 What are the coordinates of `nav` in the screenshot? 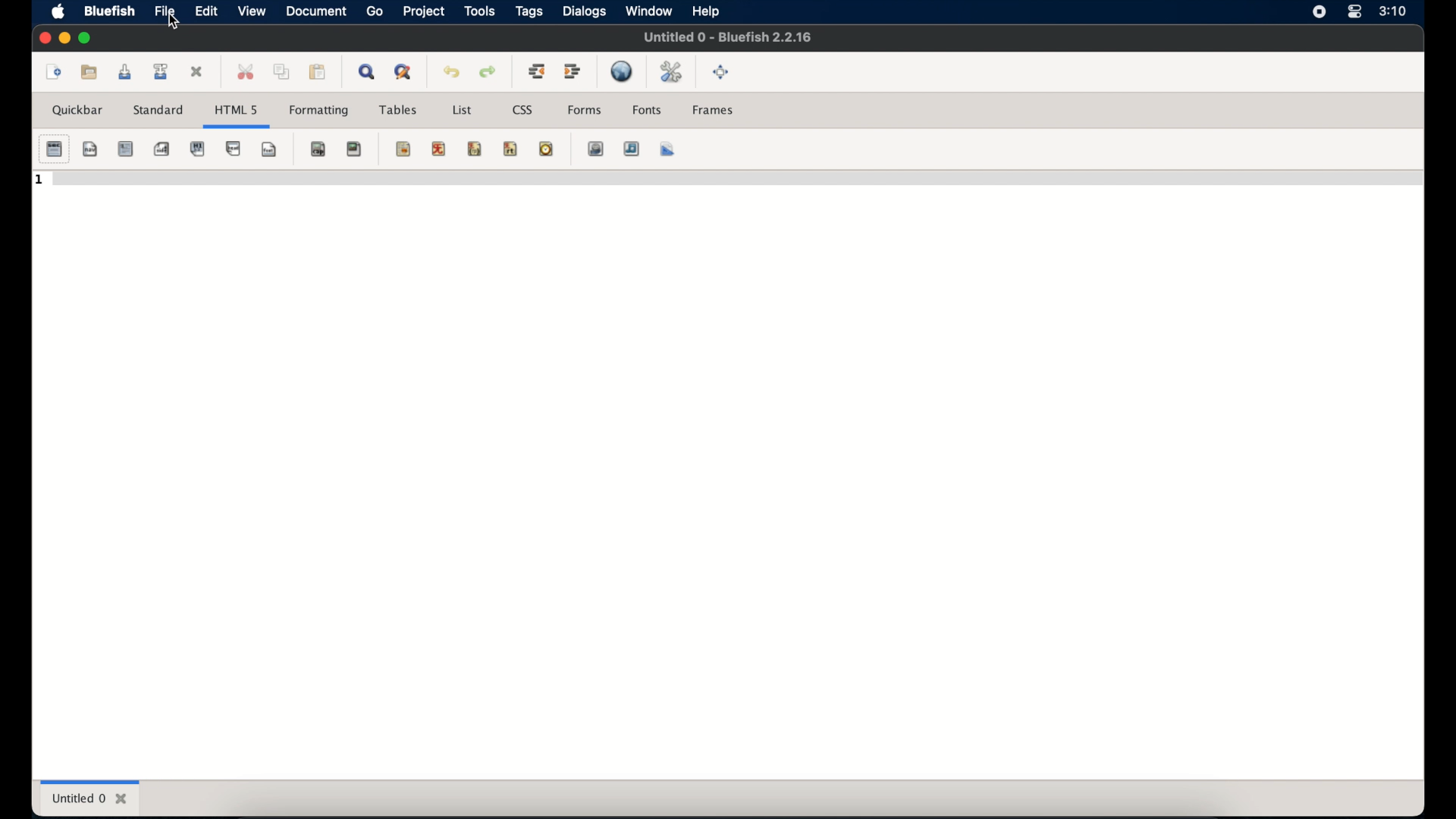 It's located at (91, 149).